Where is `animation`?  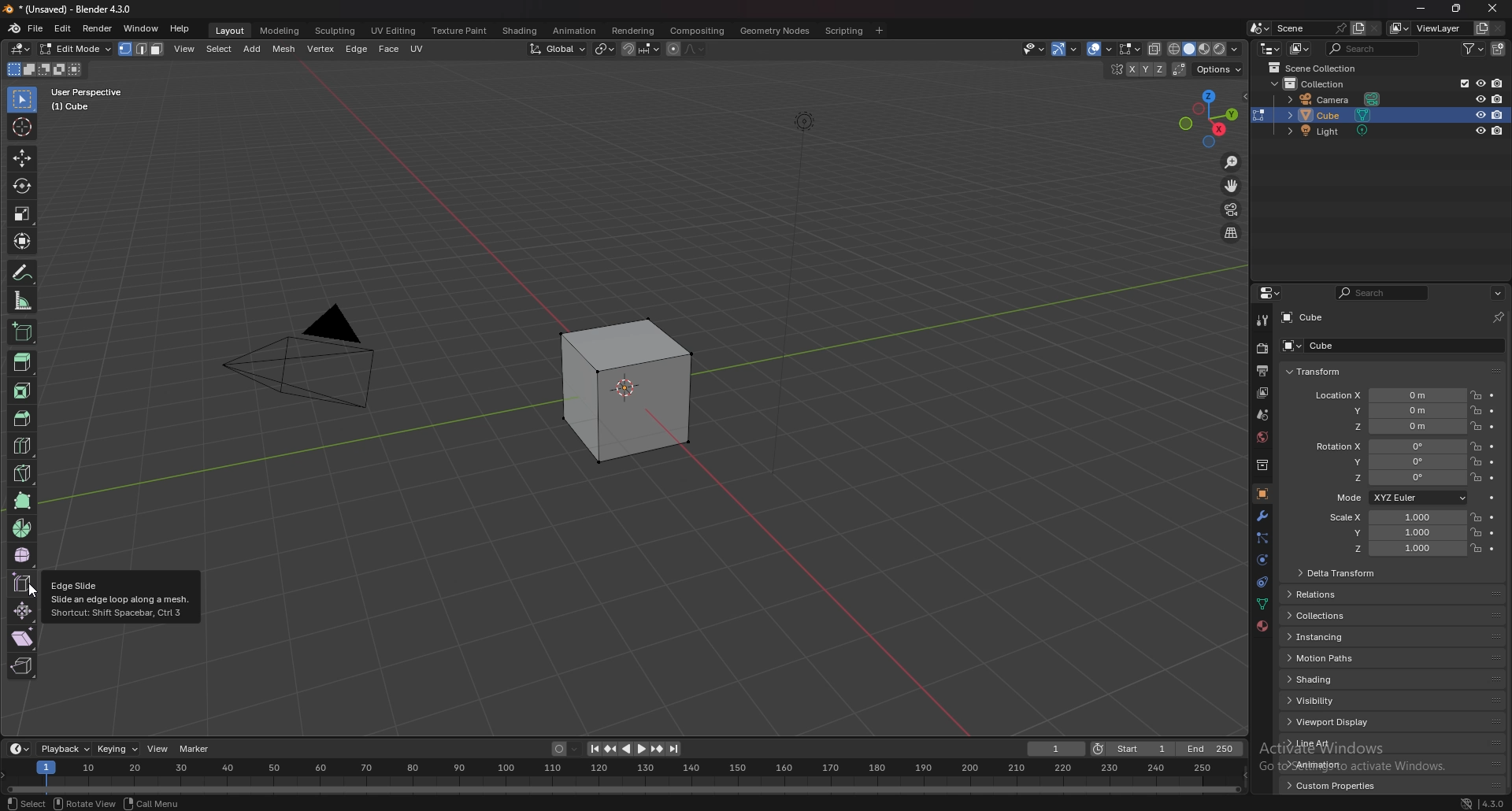 animation is located at coordinates (1327, 764).